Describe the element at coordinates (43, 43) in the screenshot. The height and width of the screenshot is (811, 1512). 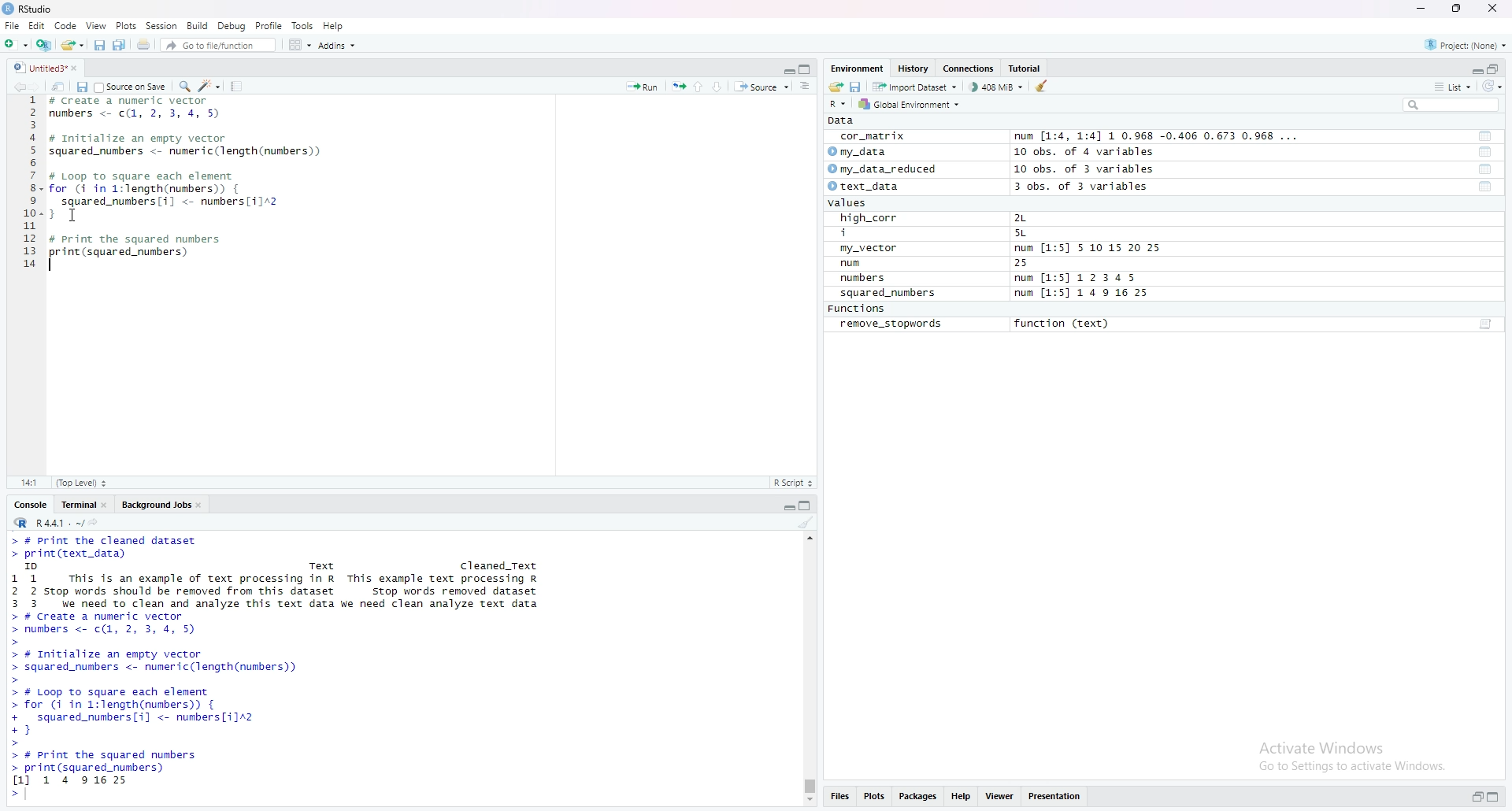
I see `Create a Project` at that location.